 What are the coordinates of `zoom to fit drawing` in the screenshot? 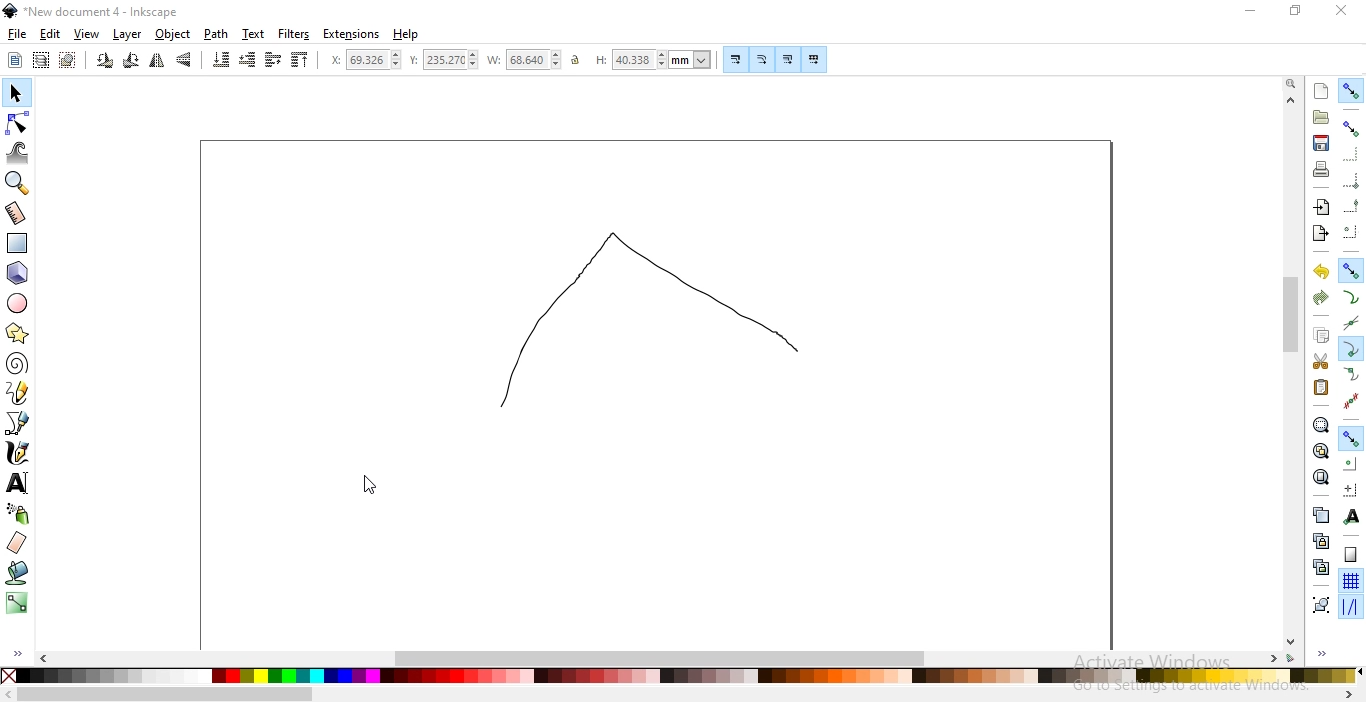 It's located at (1320, 449).